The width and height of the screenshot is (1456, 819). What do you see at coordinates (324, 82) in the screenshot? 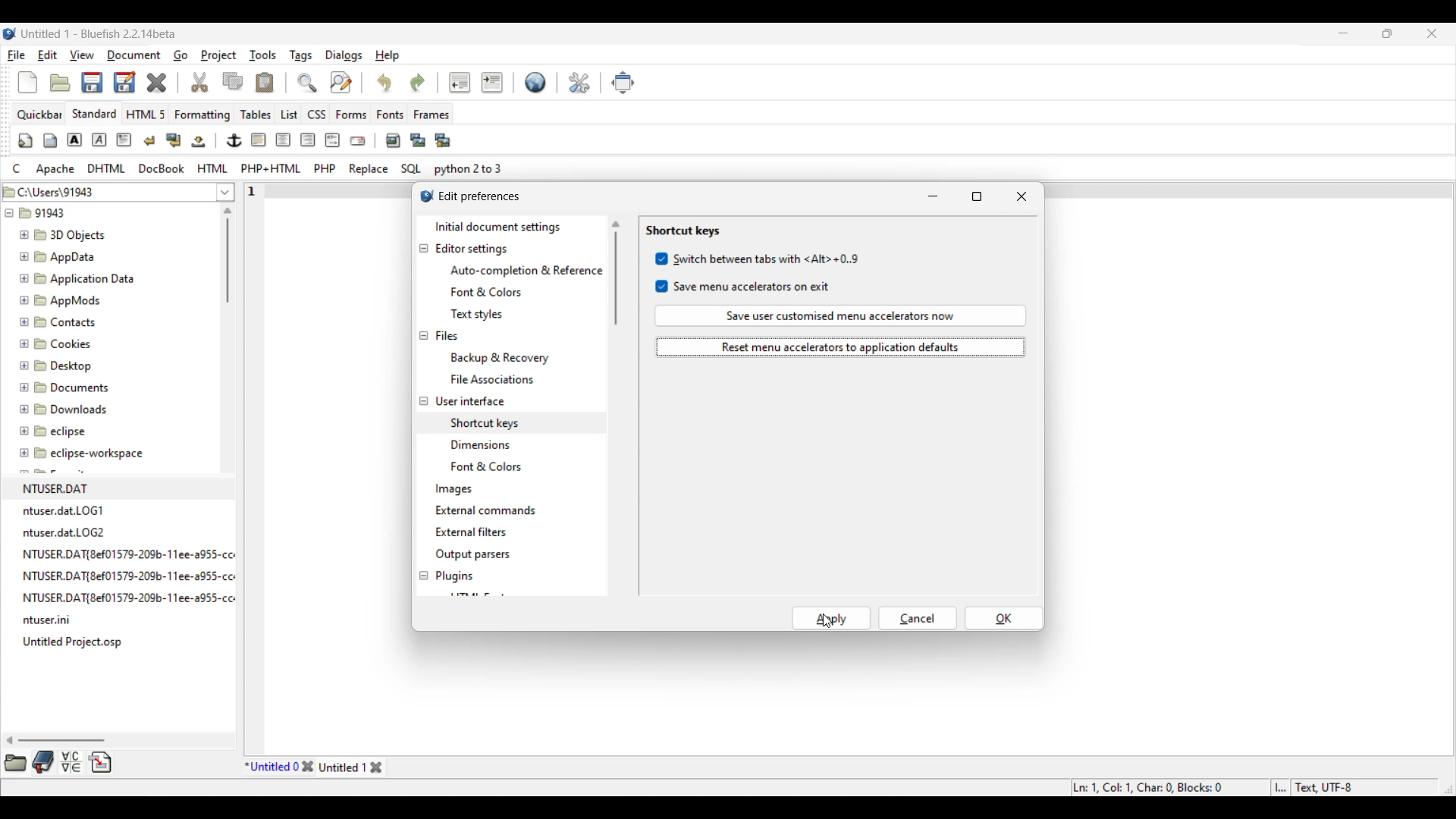
I see `Search and replace` at bounding box center [324, 82].